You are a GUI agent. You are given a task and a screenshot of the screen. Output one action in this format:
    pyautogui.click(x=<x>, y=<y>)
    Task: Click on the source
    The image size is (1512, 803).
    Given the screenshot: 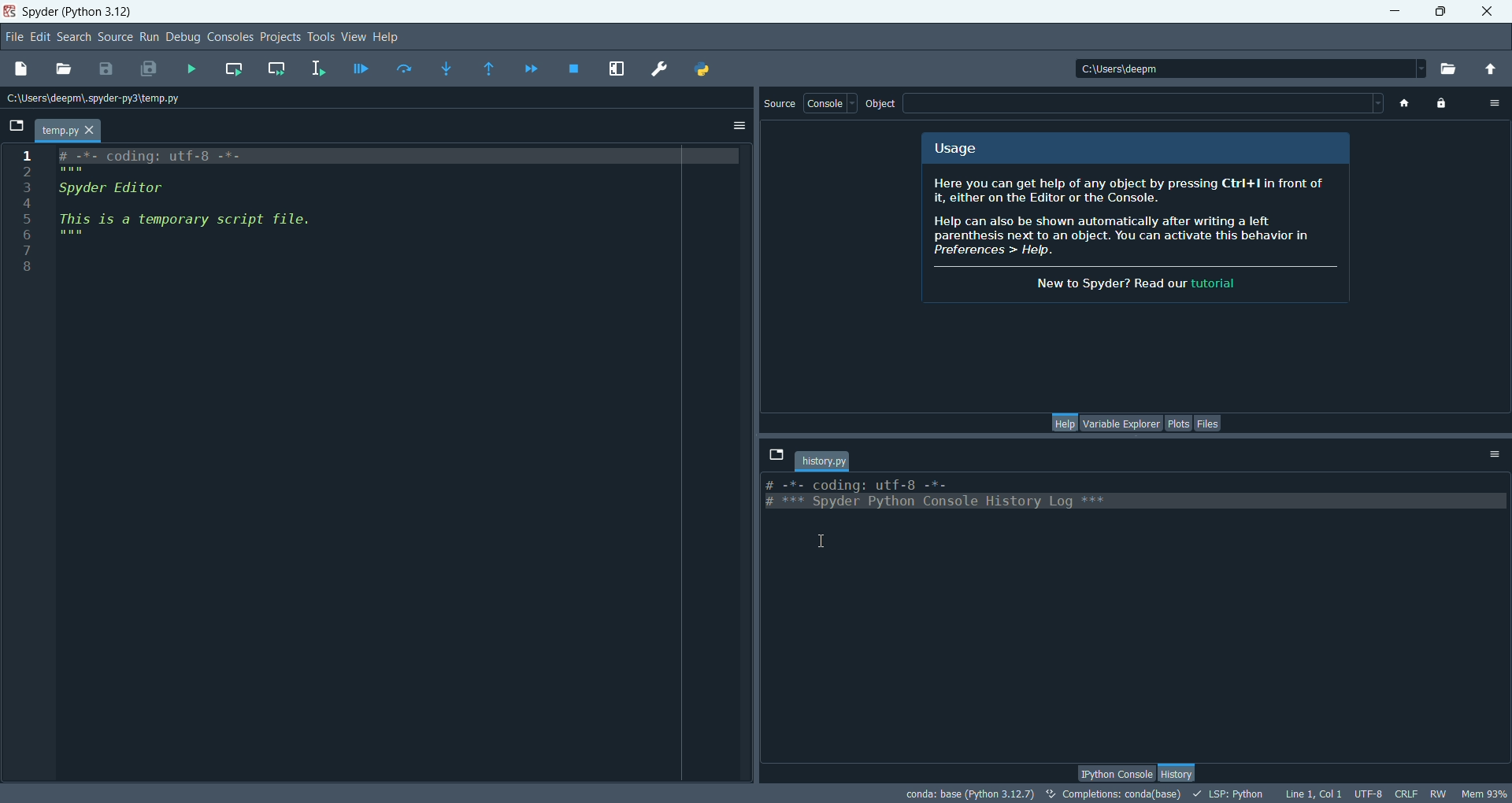 What is the action you would take?
    pyautogui.click(x=116, y=38)
    